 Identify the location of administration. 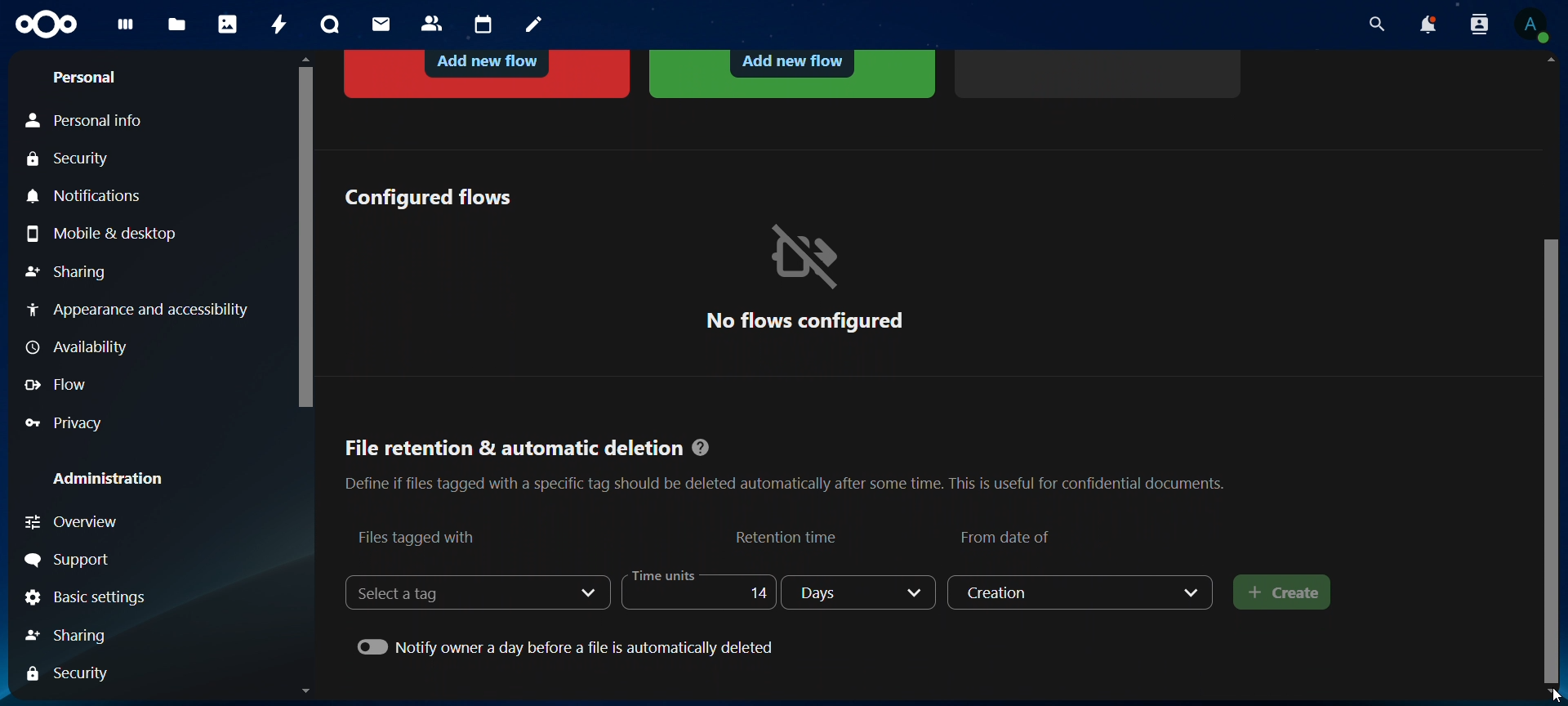
(109, 478).